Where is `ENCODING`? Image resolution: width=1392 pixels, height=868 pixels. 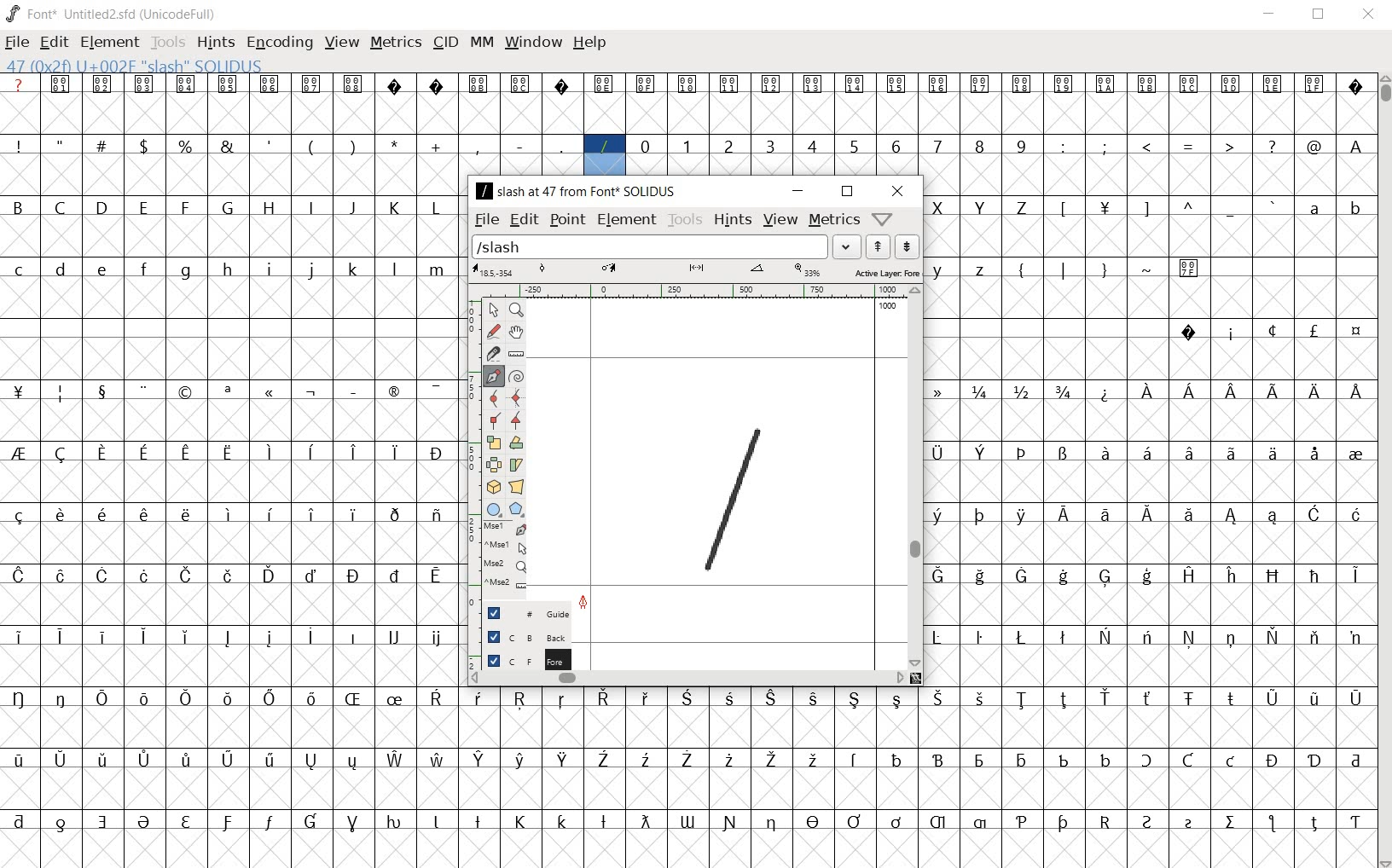 ENCODING is located at coordinates (279, 43).